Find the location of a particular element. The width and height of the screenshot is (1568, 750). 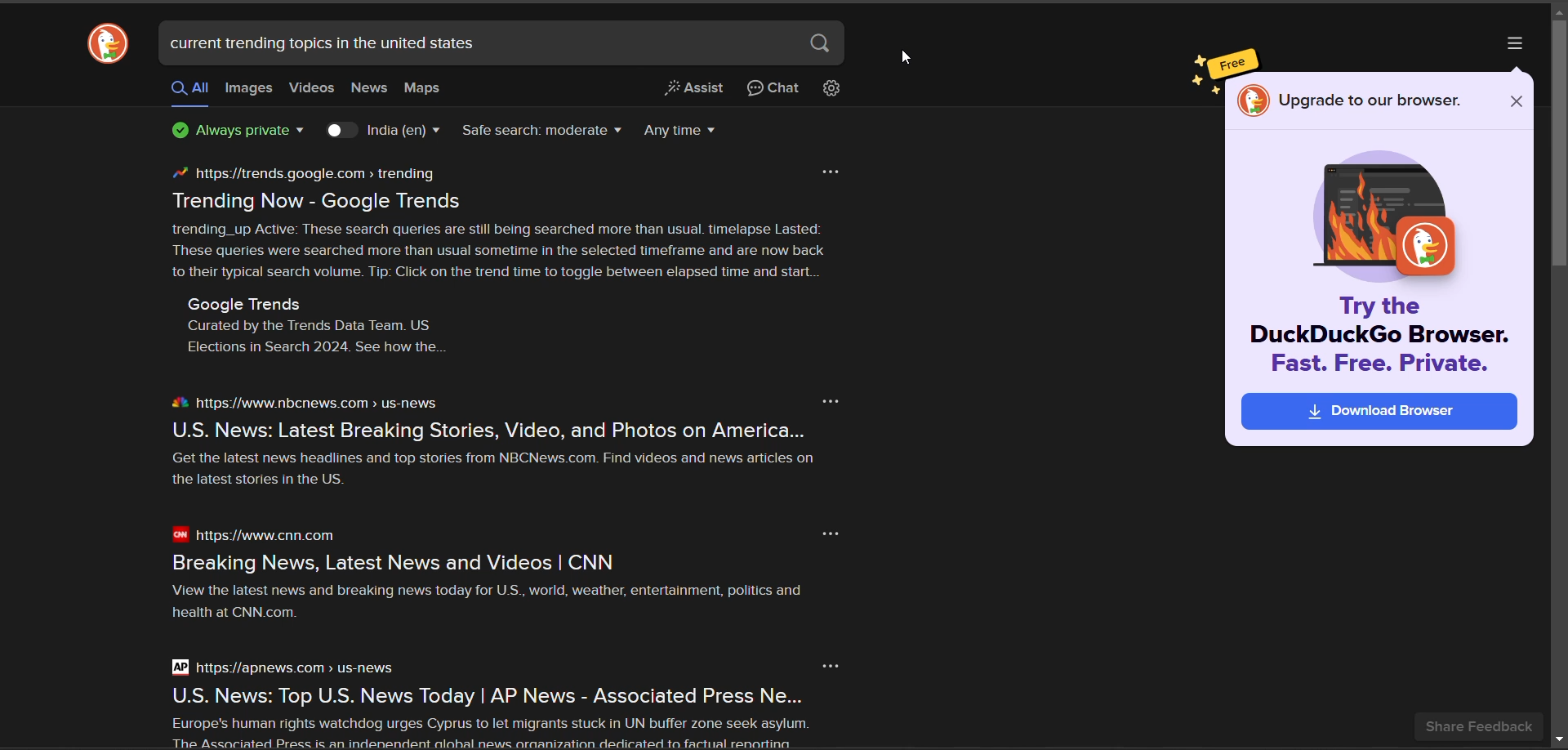

videos is located at coordinates (312, 90).